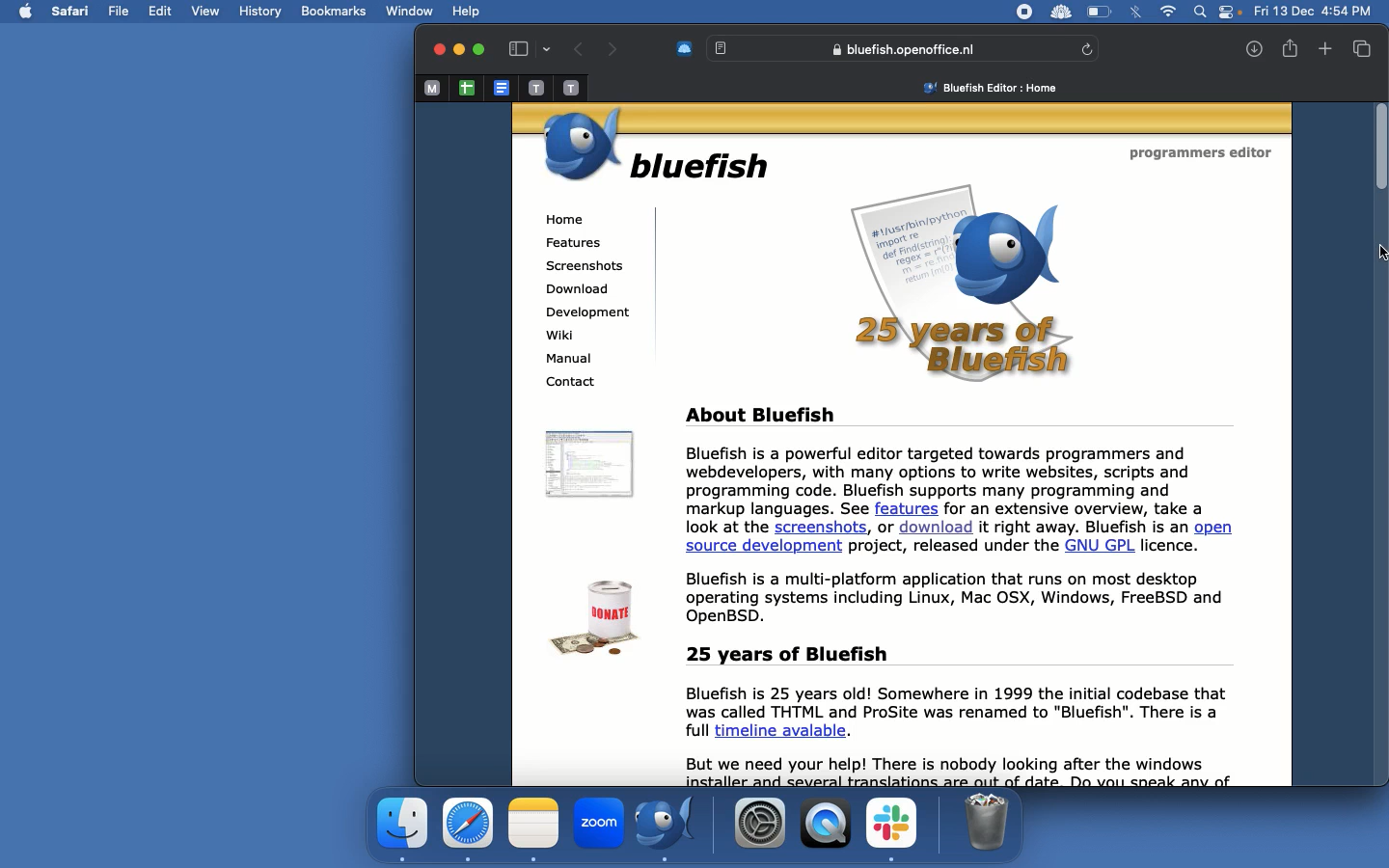 This screenshot has height=868, width=1389. What do you see at coordinates (684, 49) in the screenshot?
I see `Extension` at bounding box center [684, 49].